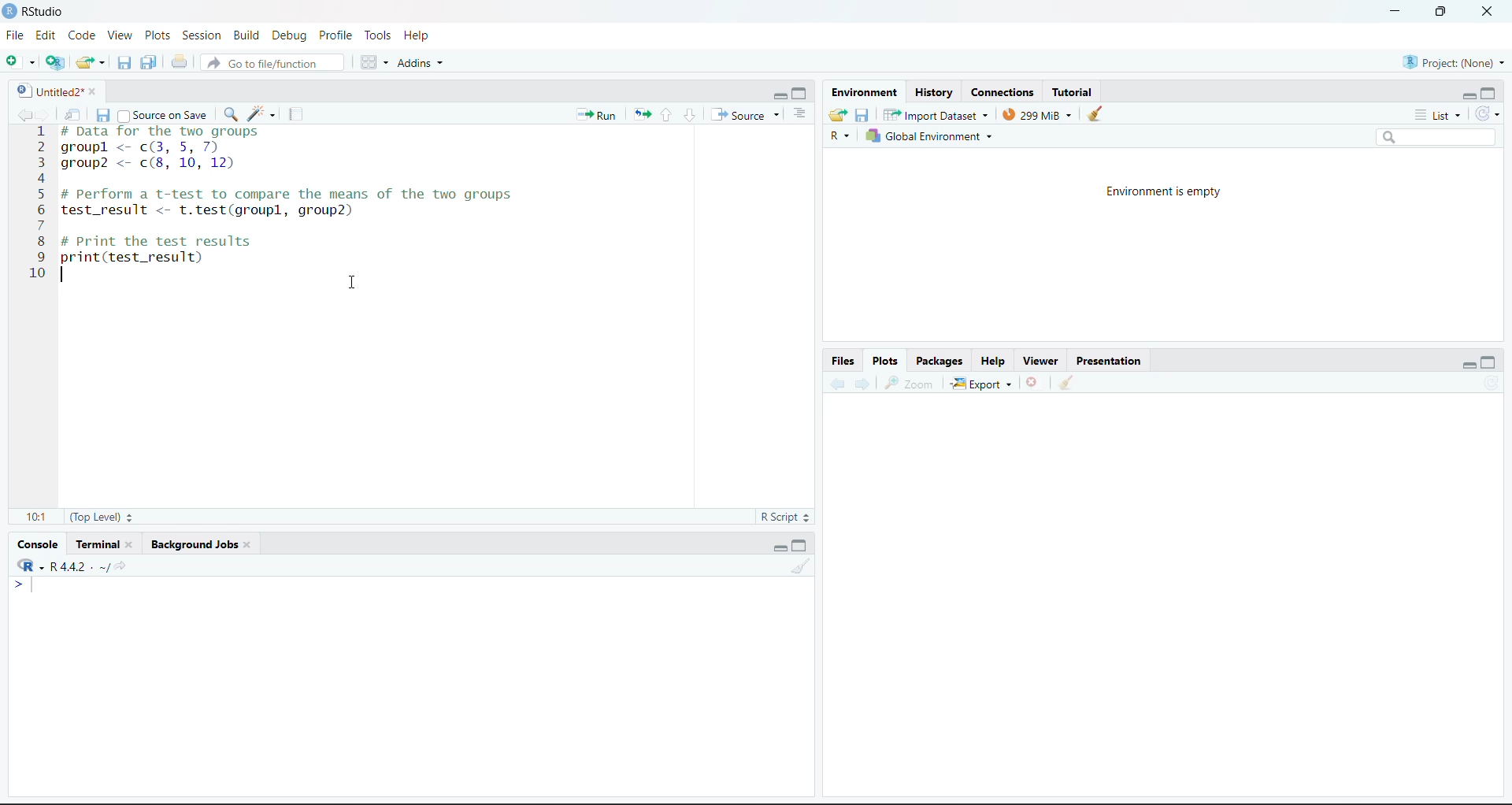 Image resolution: width=1512 pixels, height=805 pixels. Describe the element at coordinates (302, 195) in the screenshot. I see `# Data for the two groups

groupl <- c(3, 5, 7)

group2 <- c(8, 10, 12)

# Perform a t-test to compare the means of the two groups
test_result <- t.test(groupl, group2)

# Print the test results

print(test_result)` at that location.